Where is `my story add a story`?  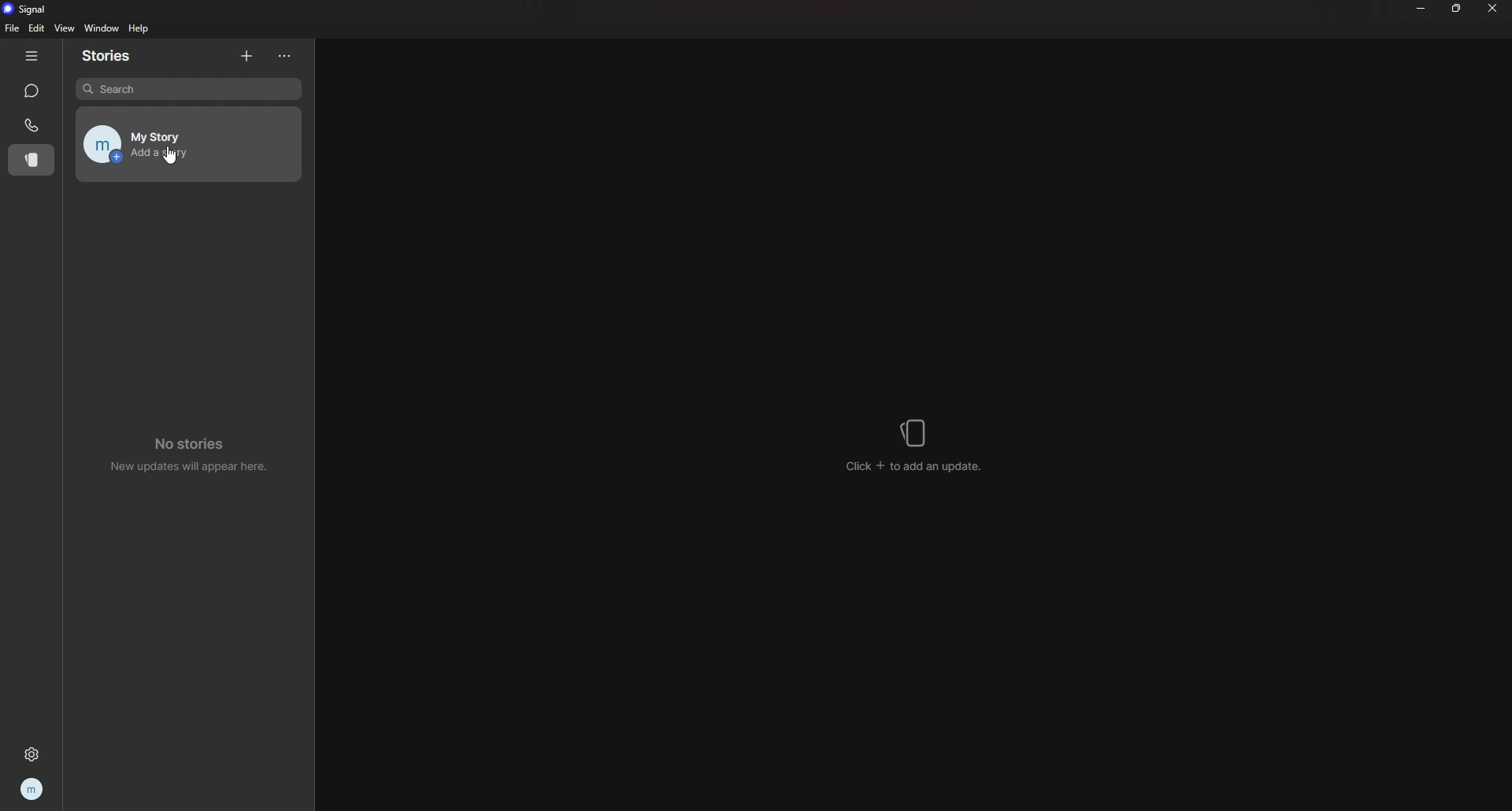
my story add a story is located at coordinates (187, 144).